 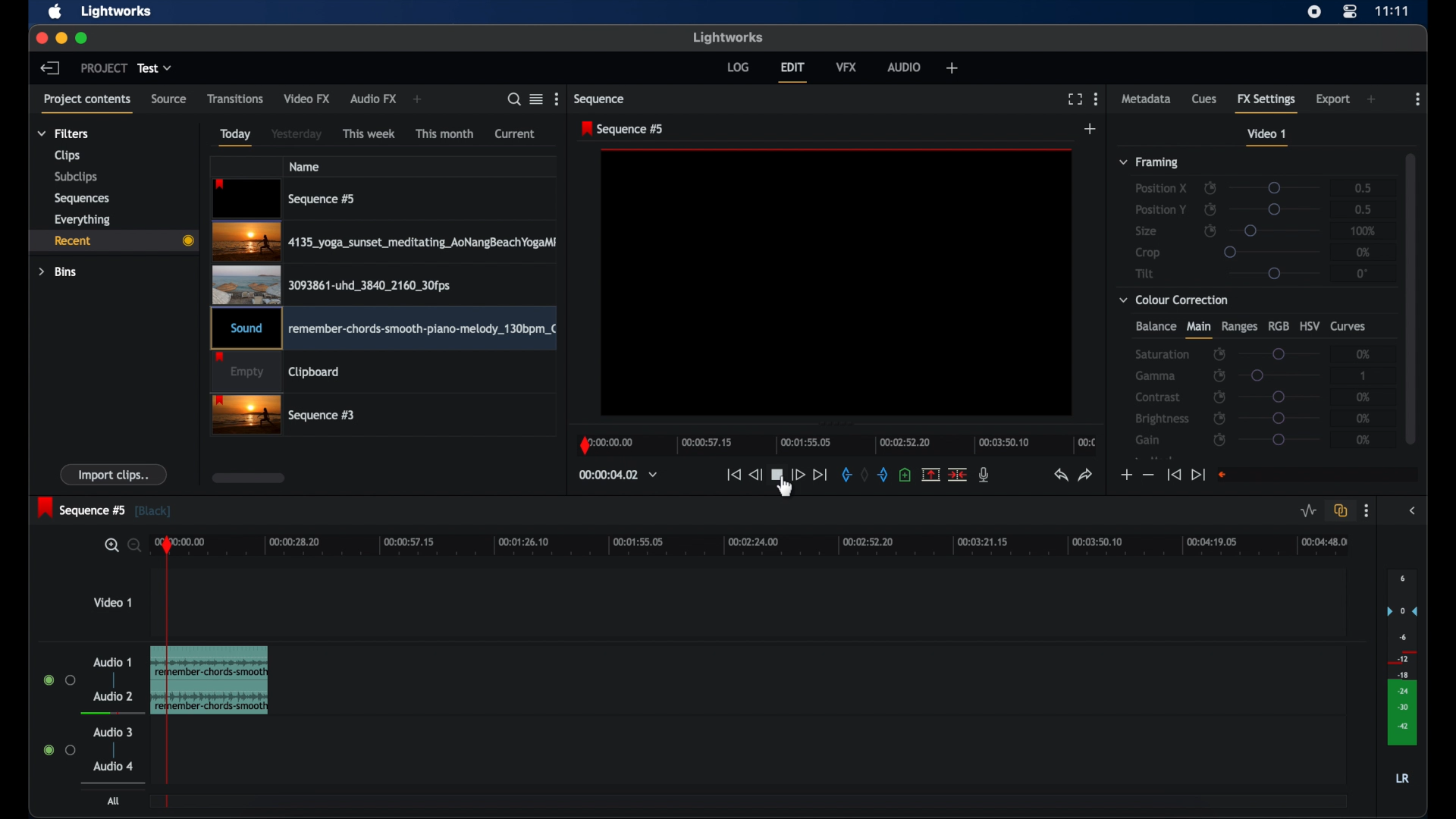 I want to click on saturation, so click(x=1162, y=354).